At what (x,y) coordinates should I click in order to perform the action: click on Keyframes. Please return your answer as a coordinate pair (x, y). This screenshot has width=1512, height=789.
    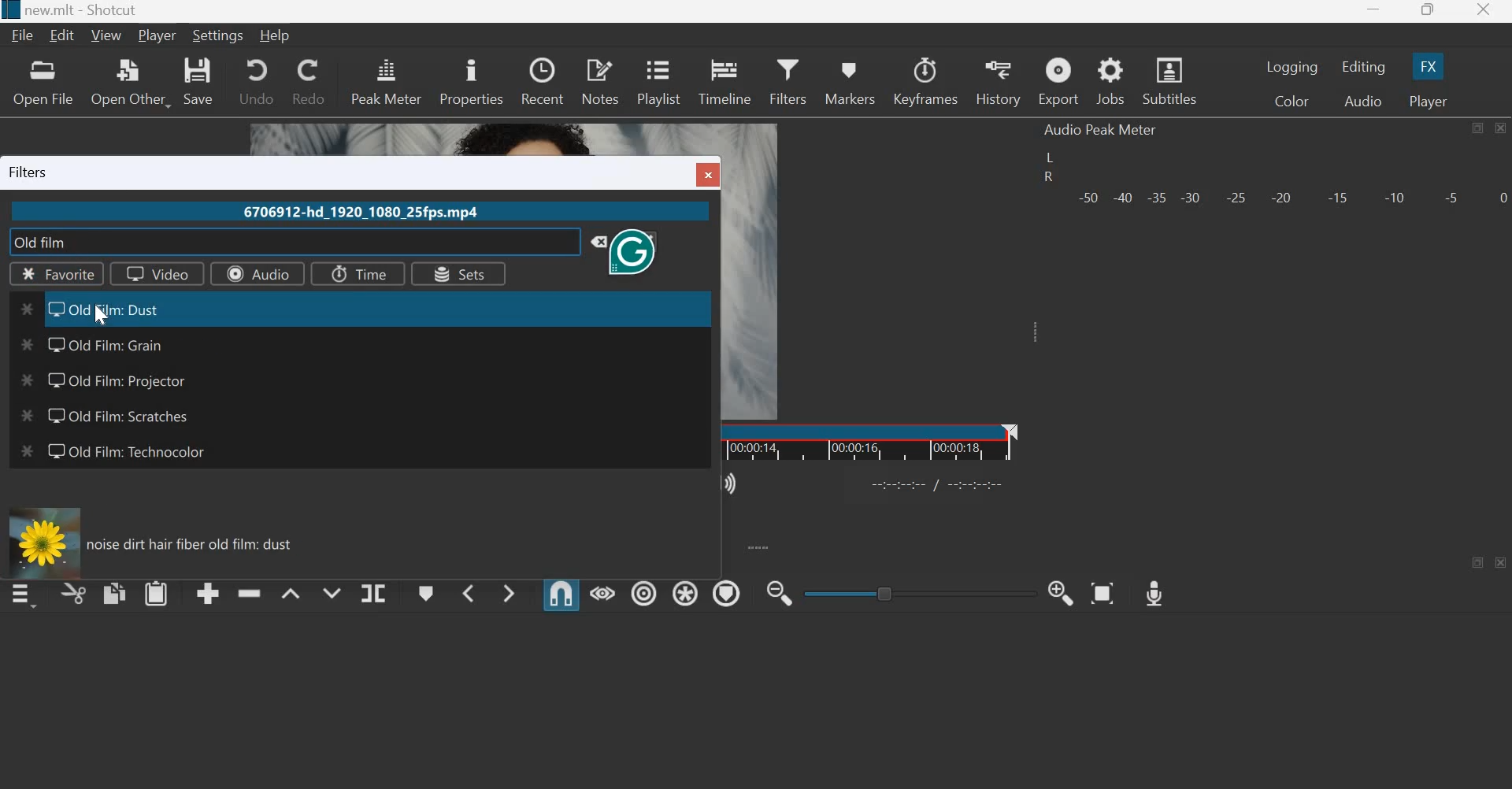
    Looking at the image, I should click on (926, 81).